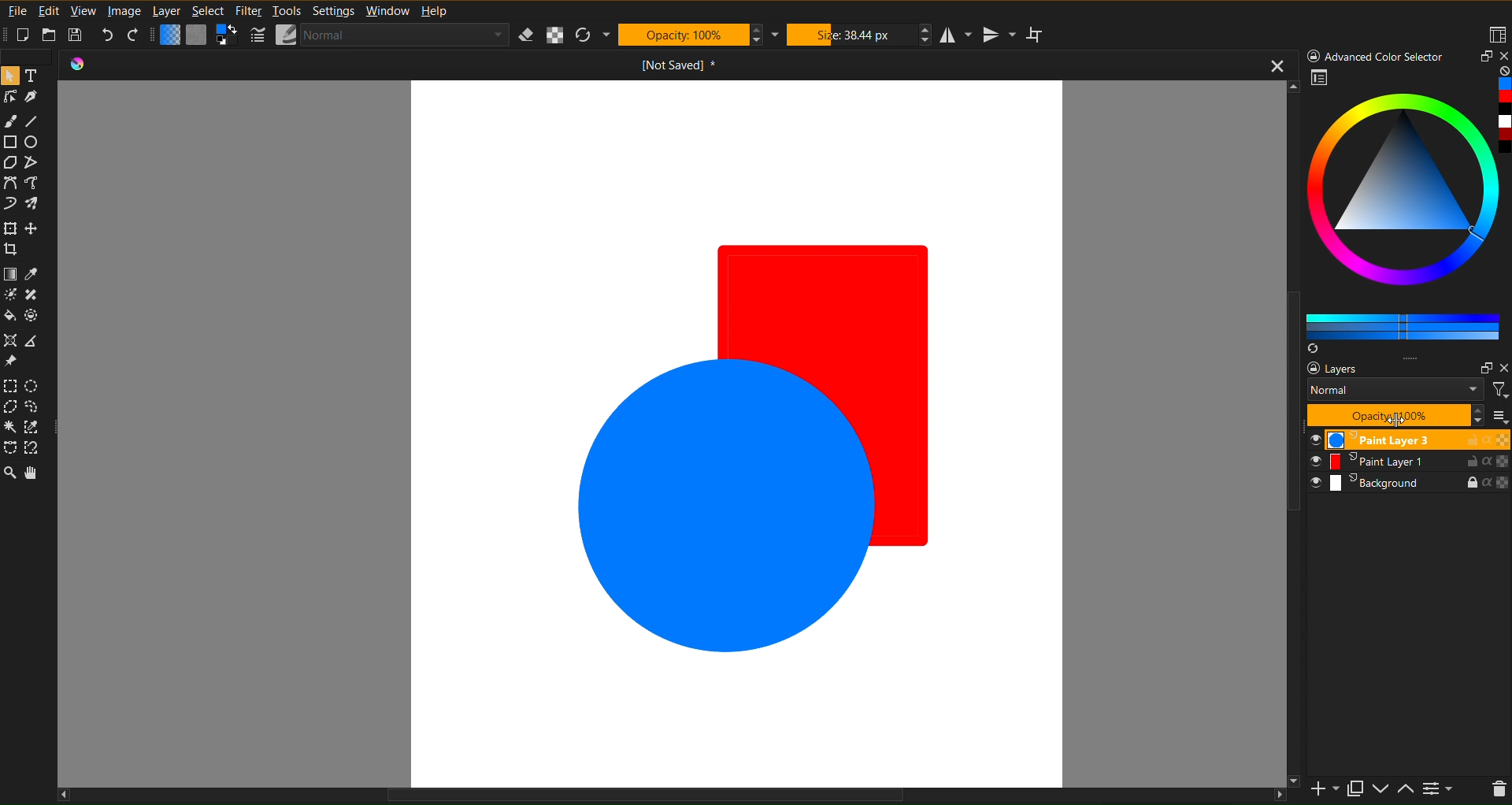 The width and height of the screenshot is (1512, 805). Describe the element at coordinates (1408, 213) in the screenshot. I see `Advanced Color Selector` at that location.